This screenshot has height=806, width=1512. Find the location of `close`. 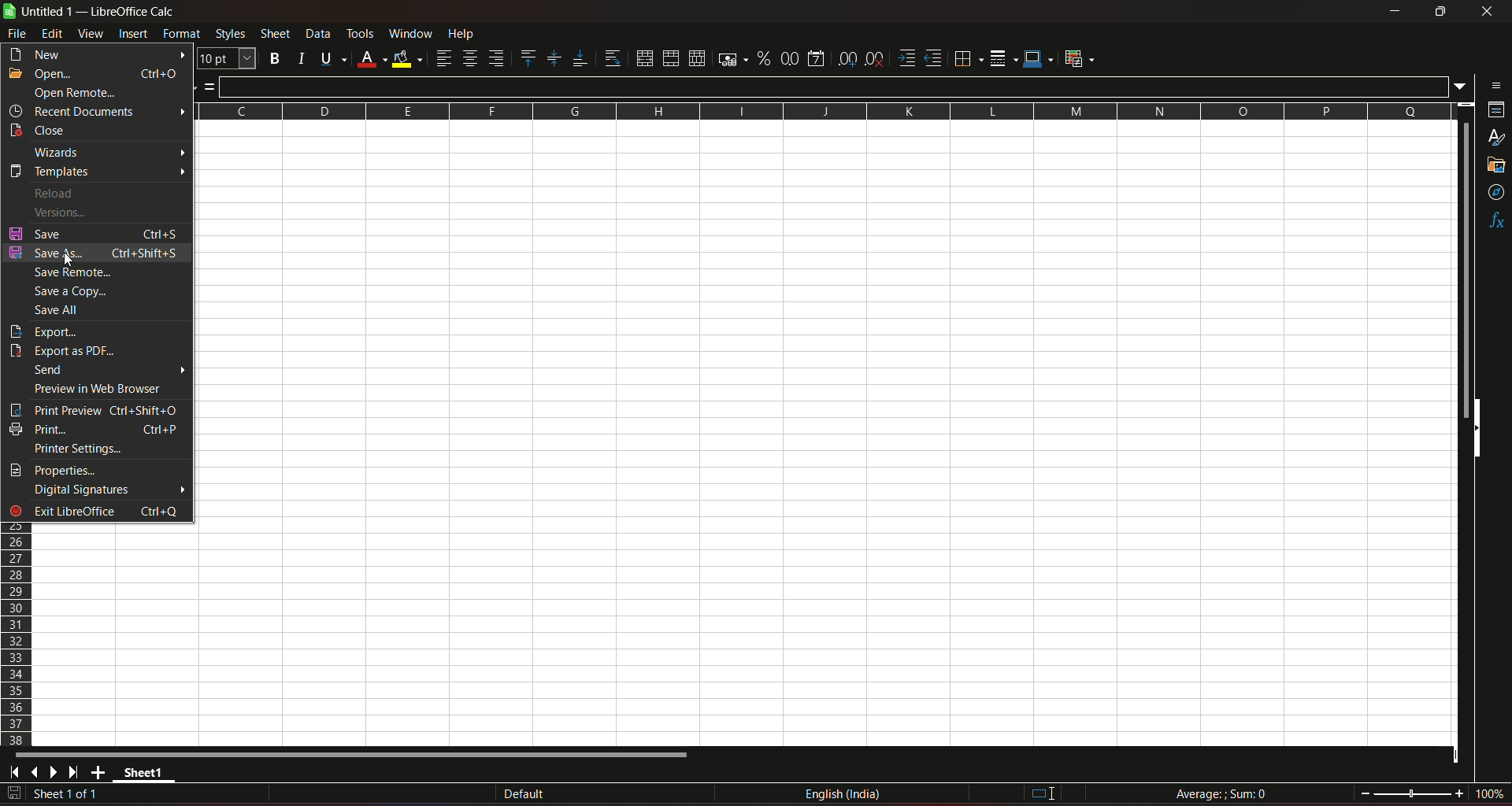

close is located at coordinates (1484, 14).